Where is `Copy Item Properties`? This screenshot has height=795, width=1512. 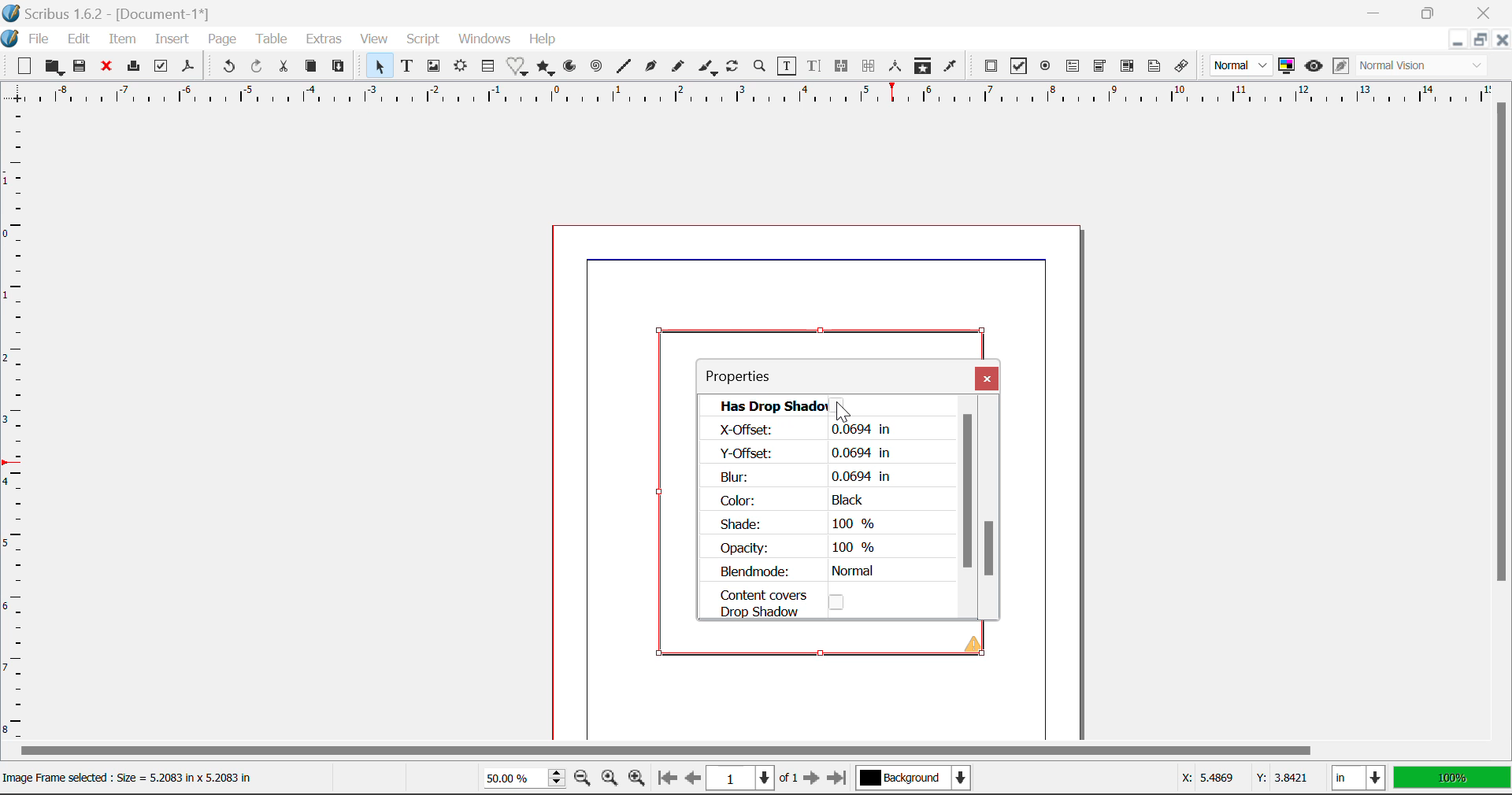 Copy Item Properties is located at coordinates (921, 66).